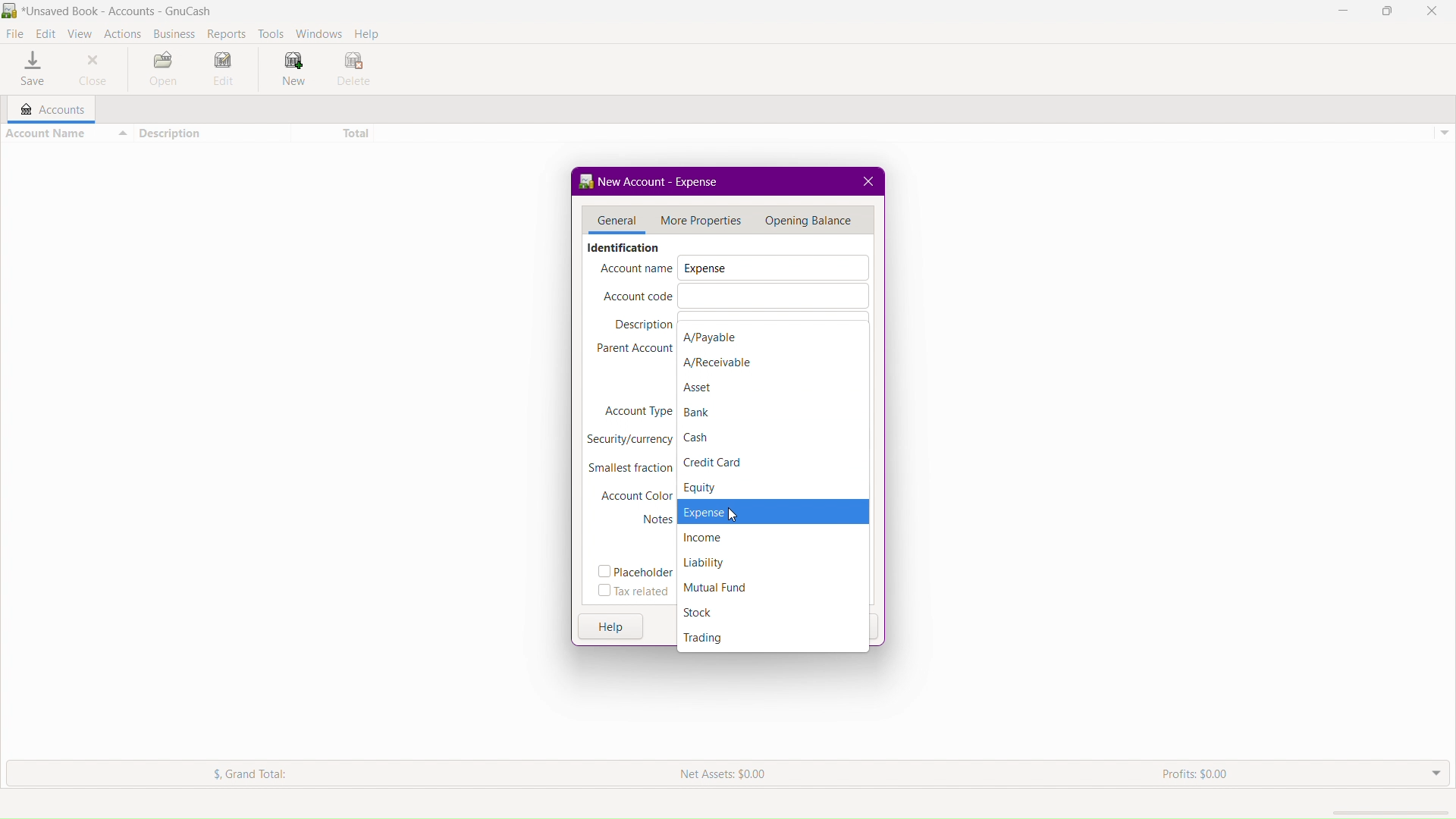  Describe the element at coordinates (714, 463) in the screenshot. I see `Credit Card` at that location.